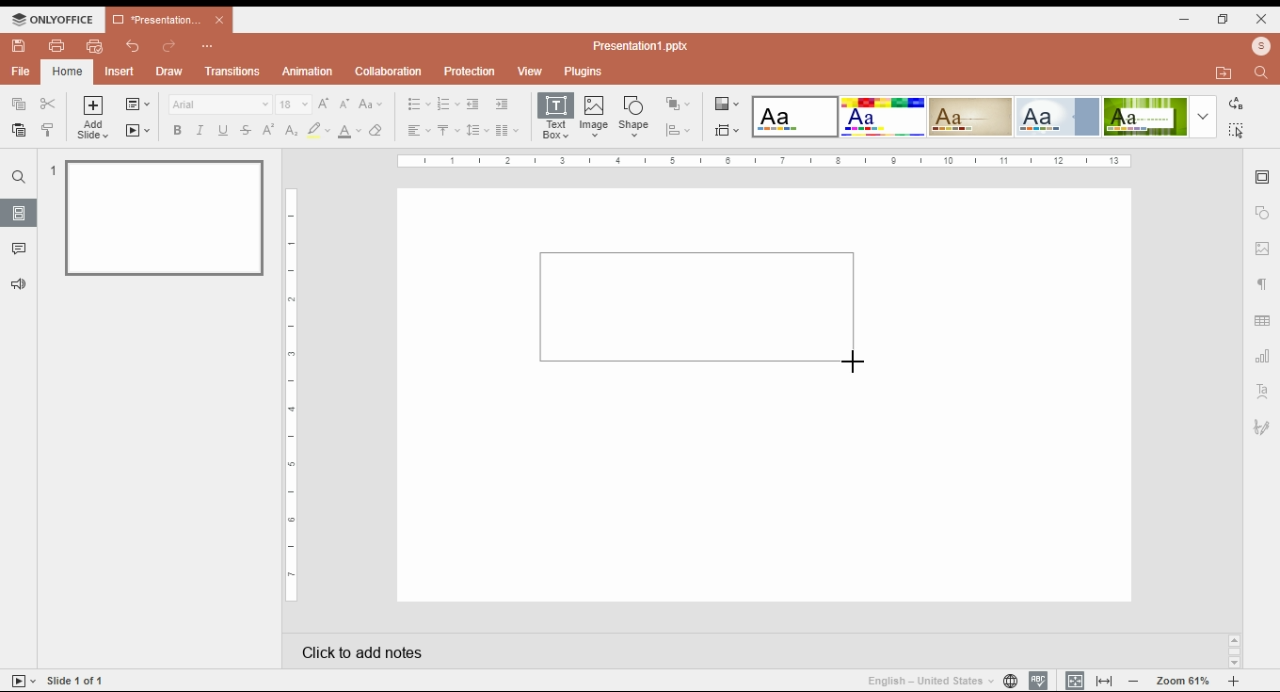  What do you see at coordinates (1235, 651) in the screenshot?
I see `scrollbar` at bounding box center [1235, 651].